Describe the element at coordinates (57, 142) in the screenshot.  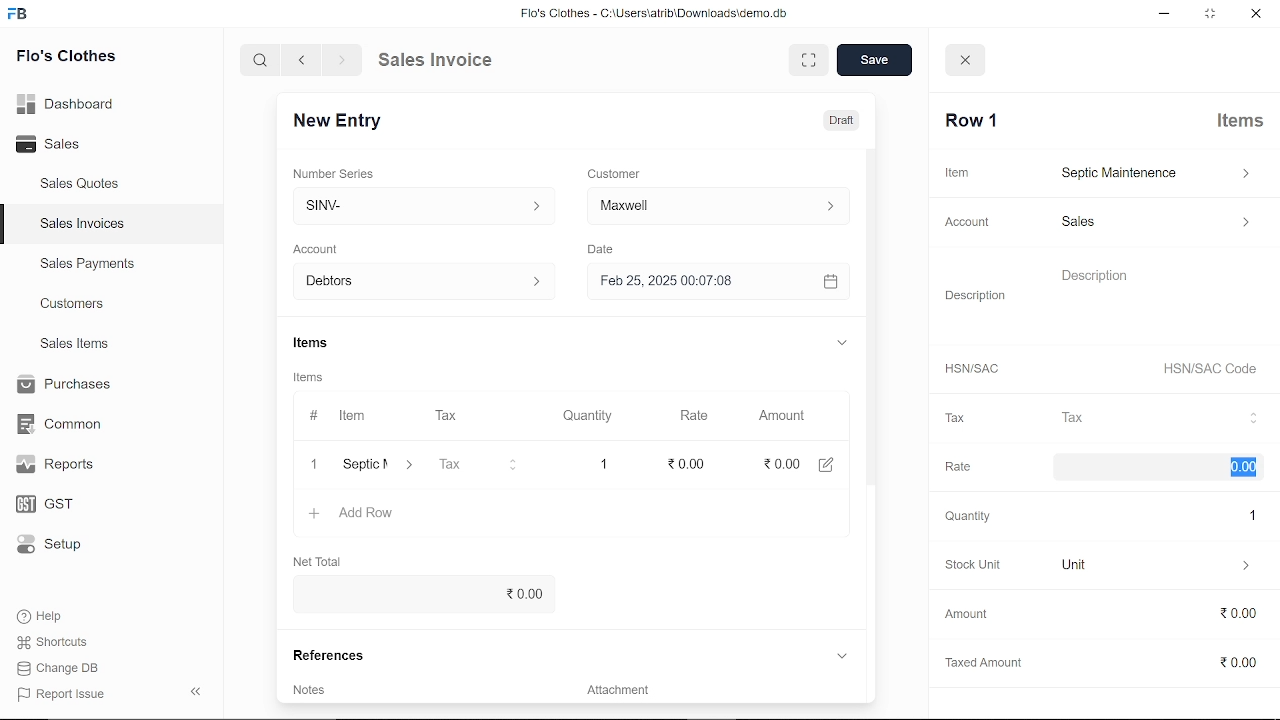
I see `Sales` at that location.